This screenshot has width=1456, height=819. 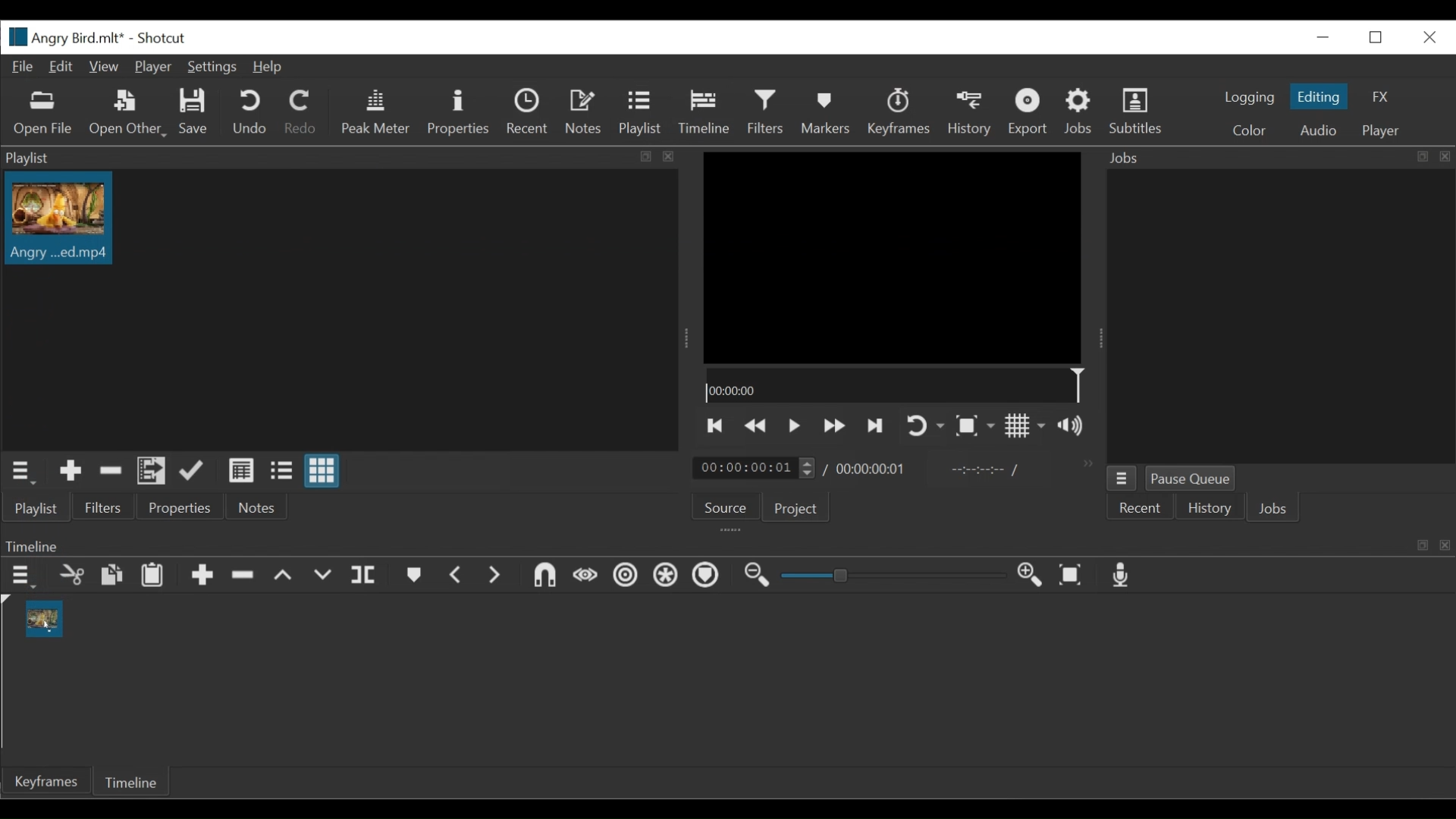 What do you see at coordinates (756, 575) in the screenshot?
I see `Zoom timeline out` at bounding box center [756, 575].